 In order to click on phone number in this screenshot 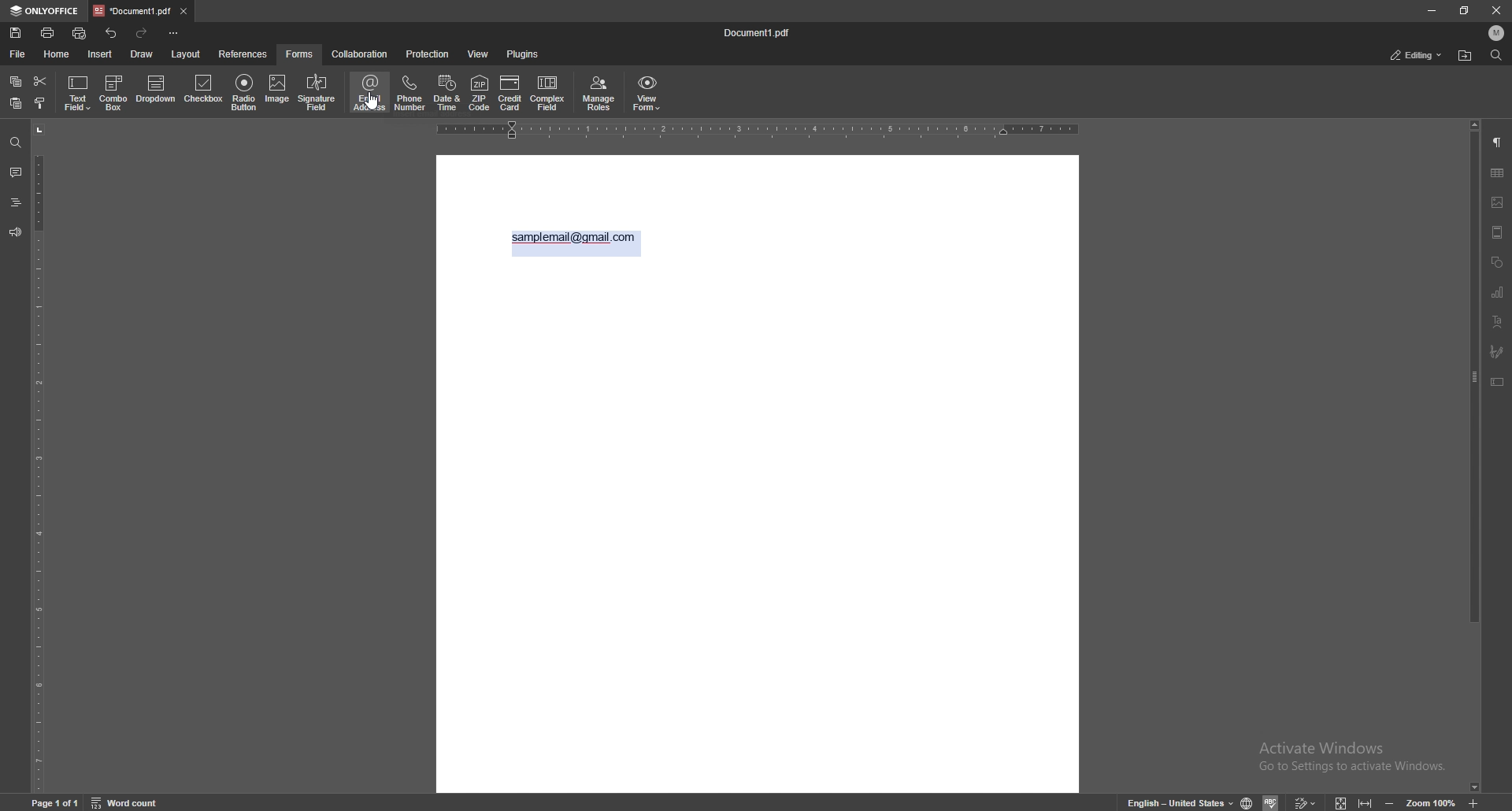, I will do `click(410, 93)`.